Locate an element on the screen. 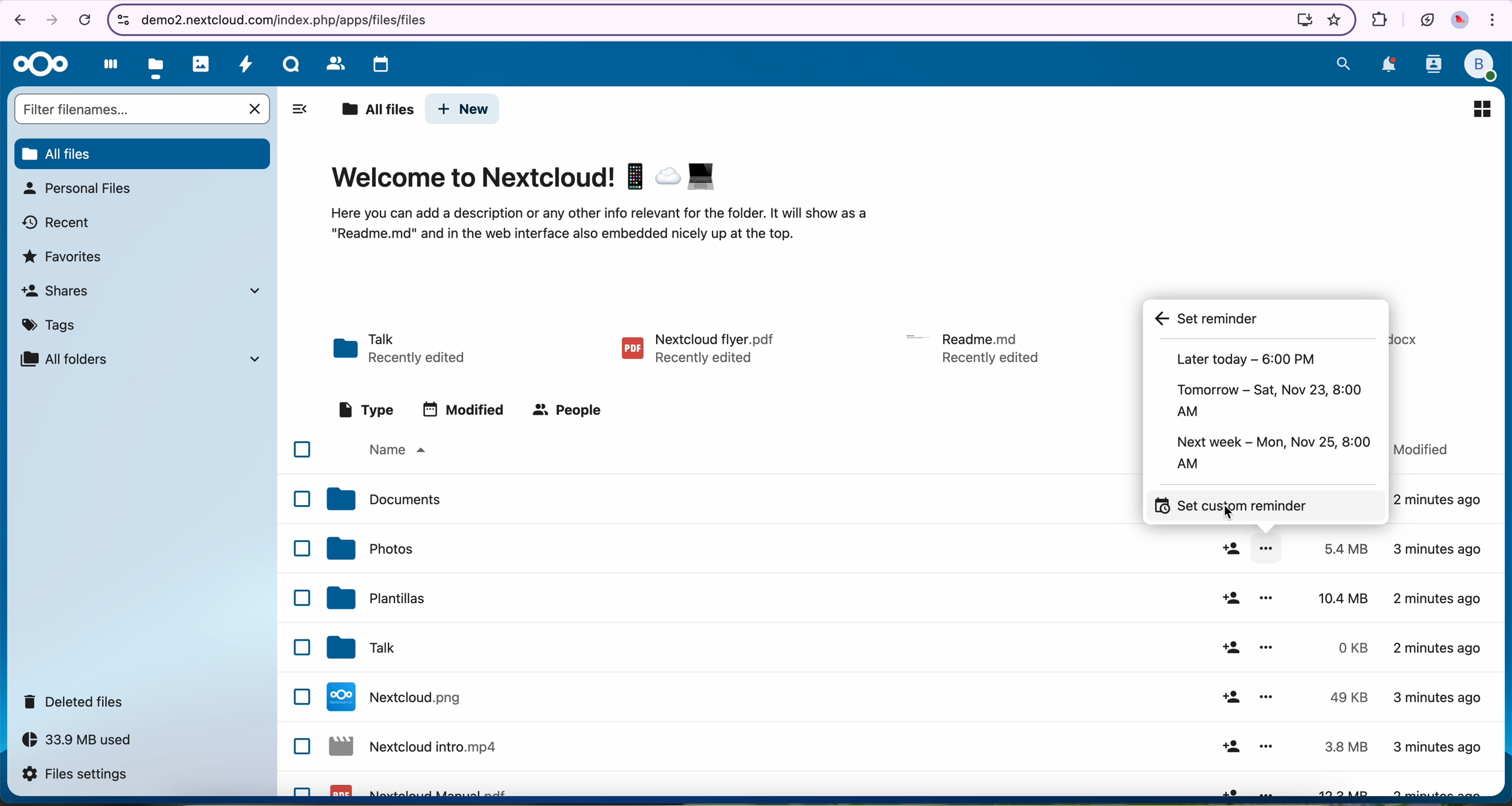 Image resolution: width=1512 pixels, height=806 pixels. tak is located at coordinates (367, 648).